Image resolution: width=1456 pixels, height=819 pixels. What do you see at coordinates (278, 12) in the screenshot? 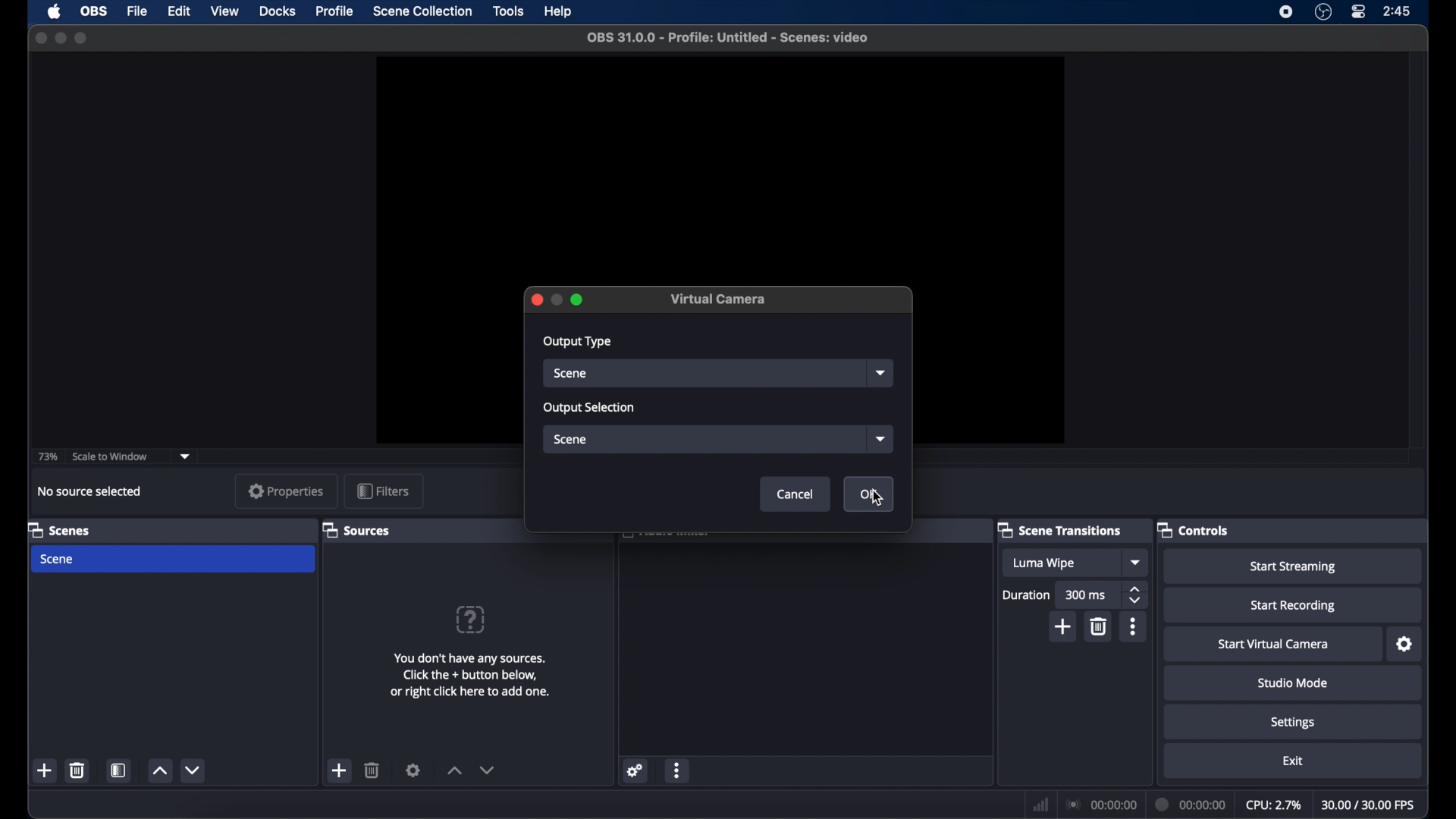
I see `docks` at bounding box center [278, 12].